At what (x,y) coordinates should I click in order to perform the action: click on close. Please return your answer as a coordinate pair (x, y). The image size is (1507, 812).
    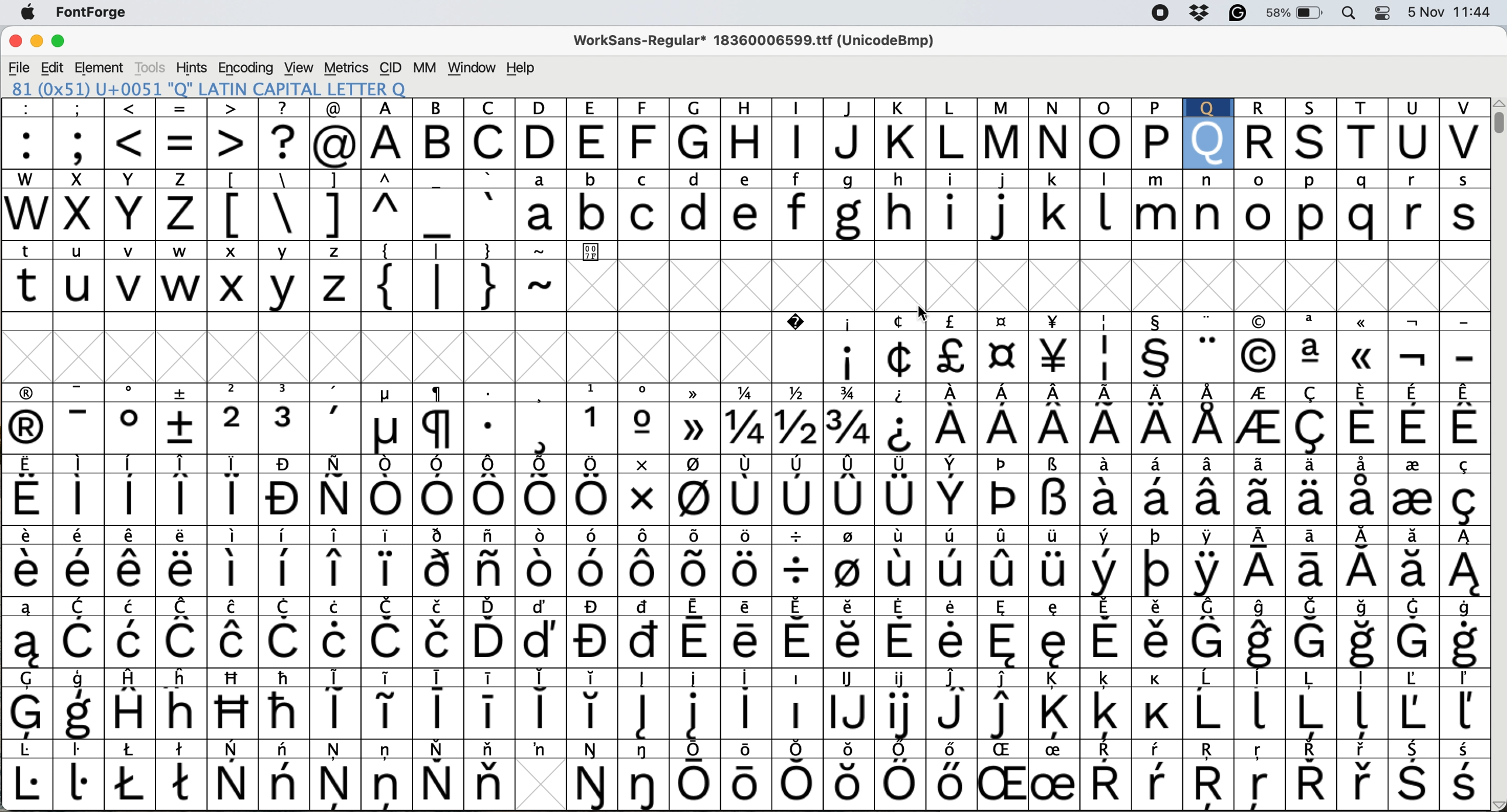
    Looking at the image, I should click on (15, 40).